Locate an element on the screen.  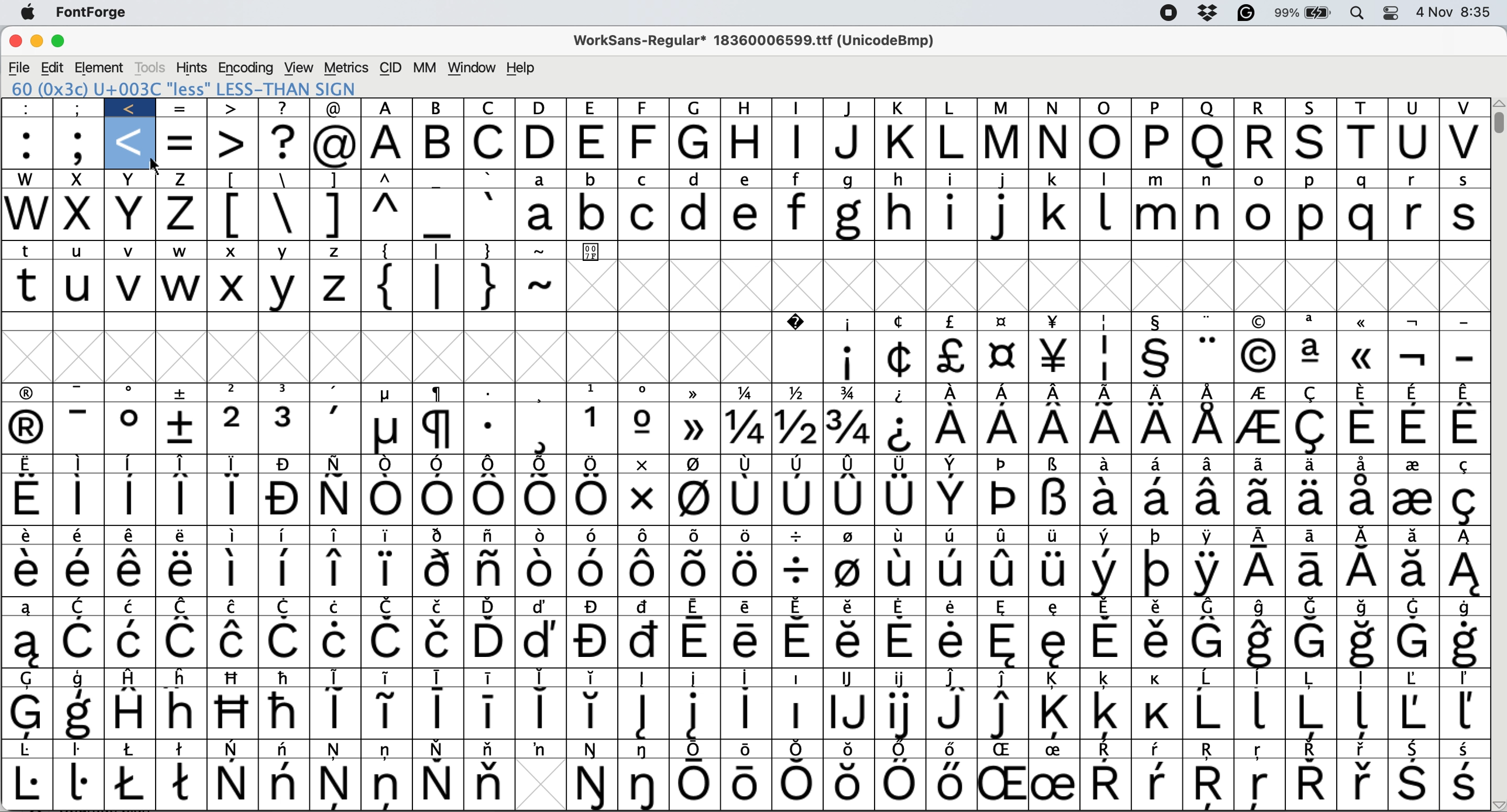
o is located at coordinates (1106, 142).